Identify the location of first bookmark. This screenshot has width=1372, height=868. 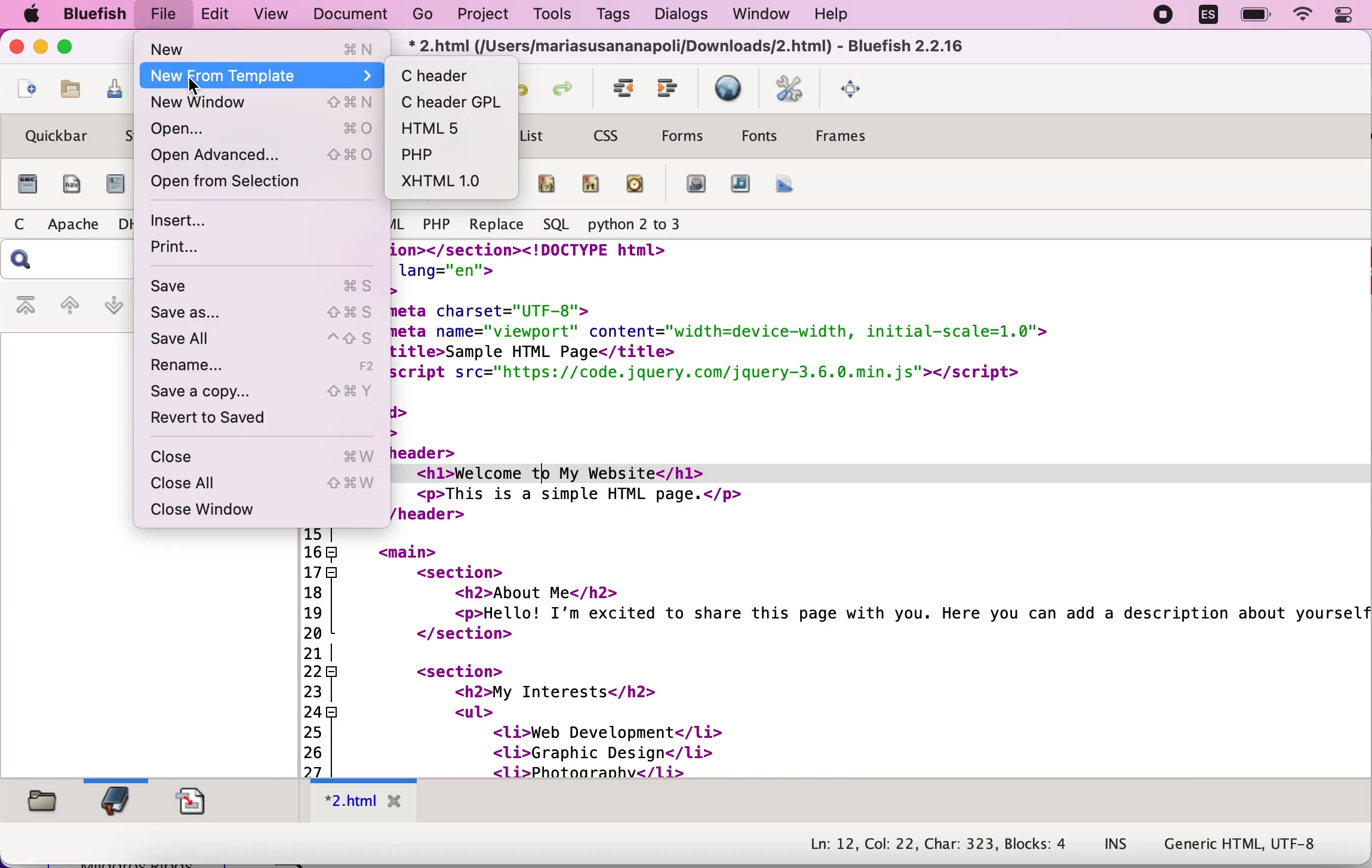
(23, 303).